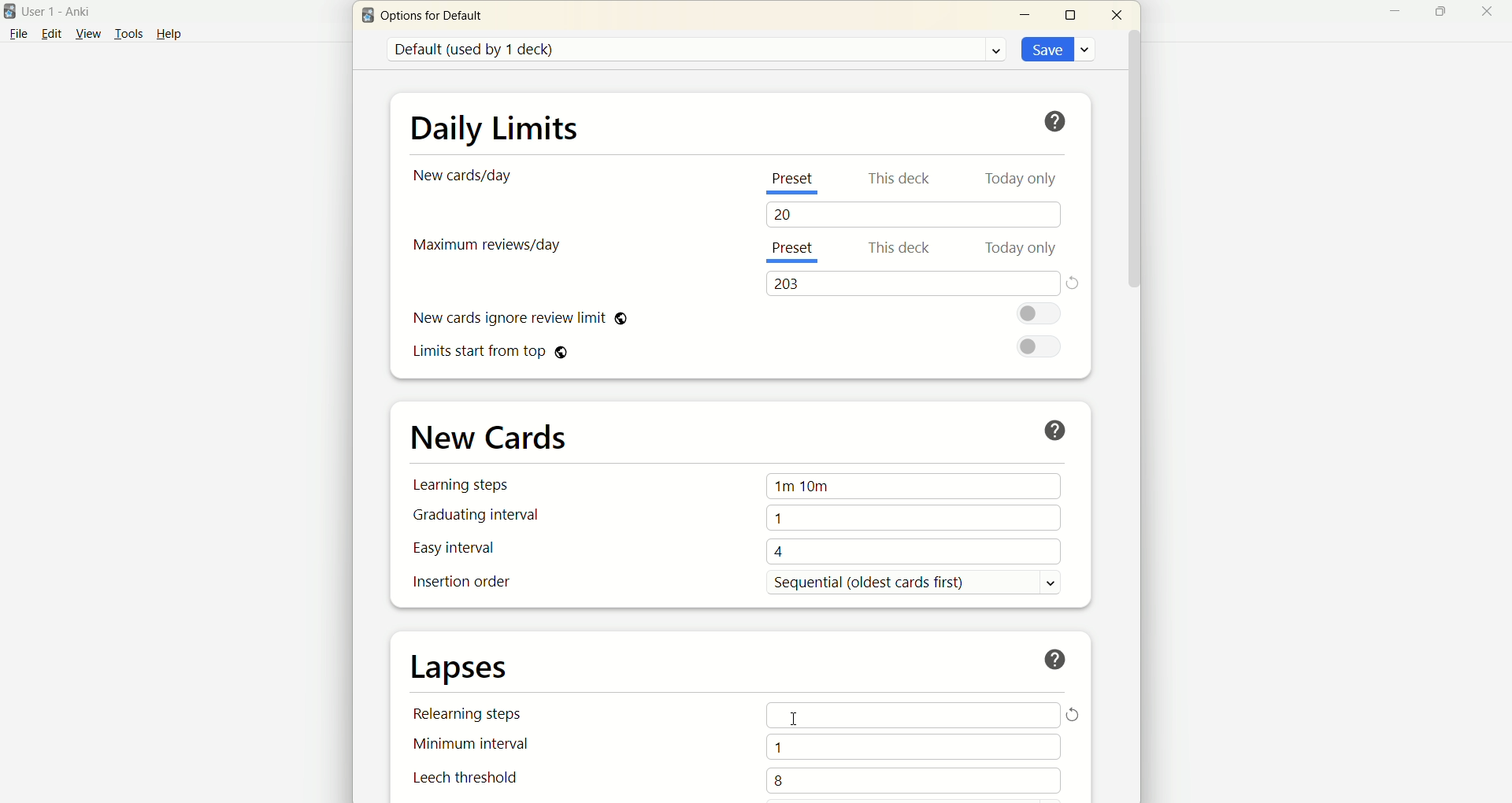 Image resolution: width=1512 pixels, height=803 pixels. Describe the element at coordinates (1117, 13) in the screenshot. I see `close` at that location.